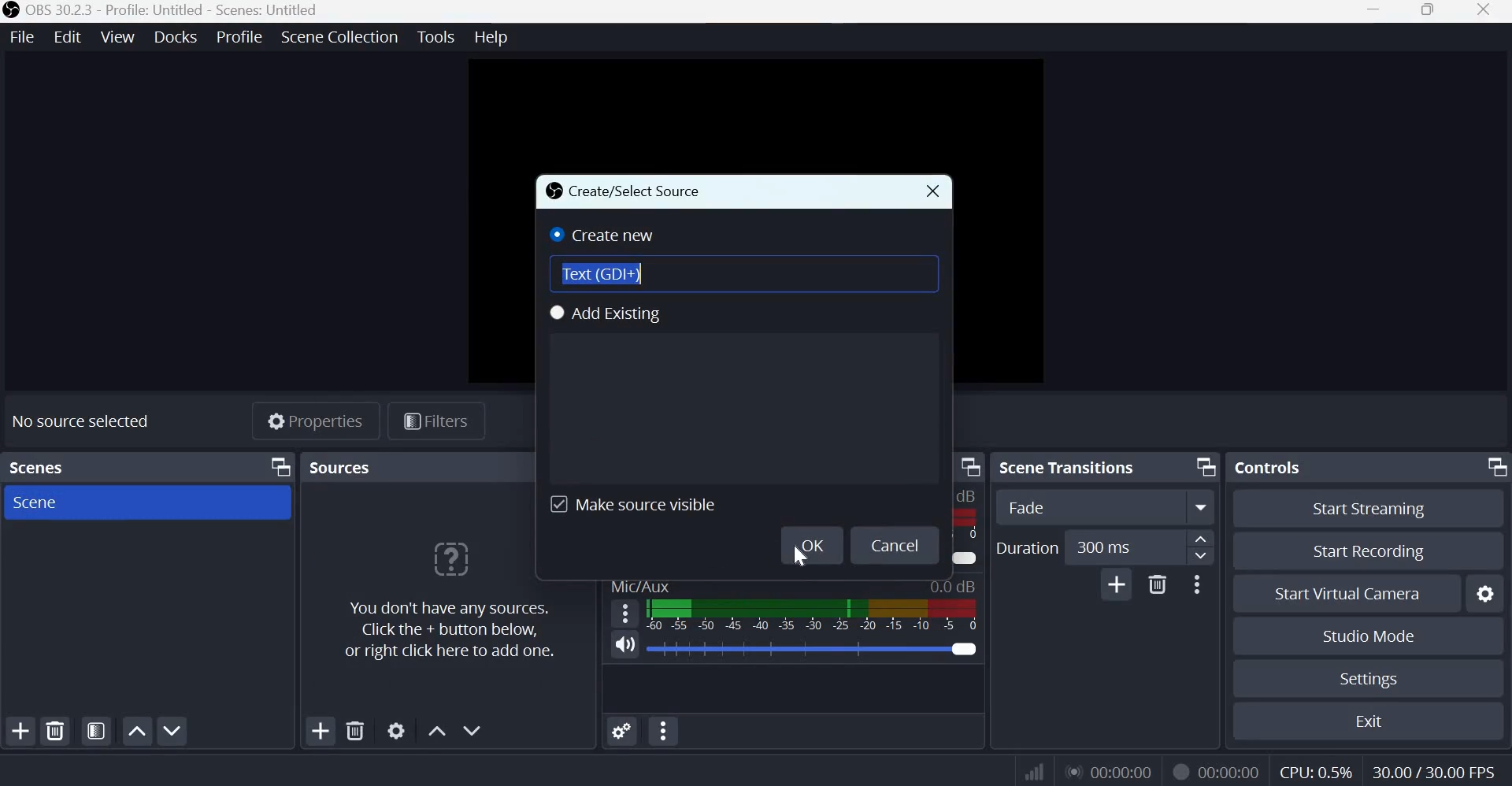 The width and height of the screenshot is (1512, 786). I want to click on dock option, so click(969, 467).